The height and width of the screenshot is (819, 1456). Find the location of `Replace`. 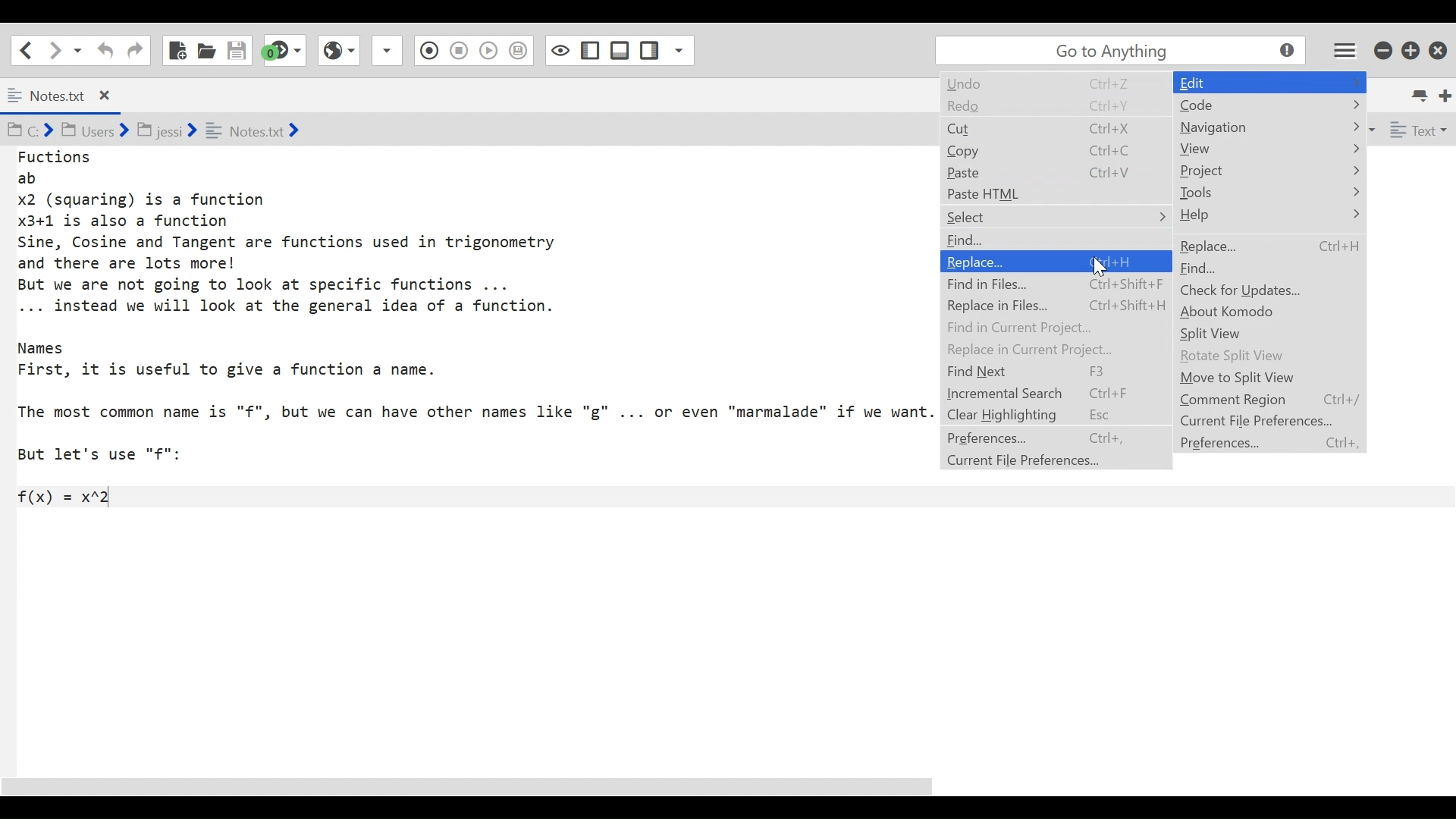

Replace is located at coordinates (1055, 260).